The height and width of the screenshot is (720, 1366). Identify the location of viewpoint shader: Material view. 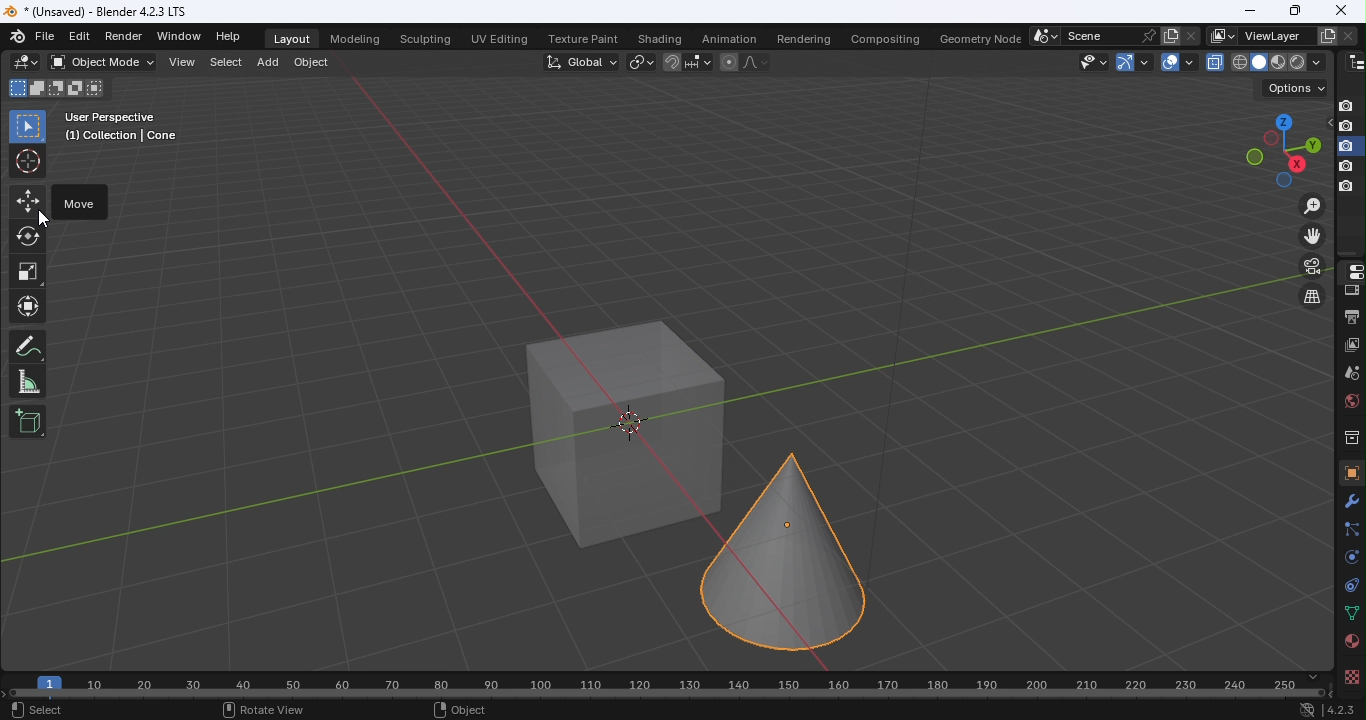
(1277, 61).